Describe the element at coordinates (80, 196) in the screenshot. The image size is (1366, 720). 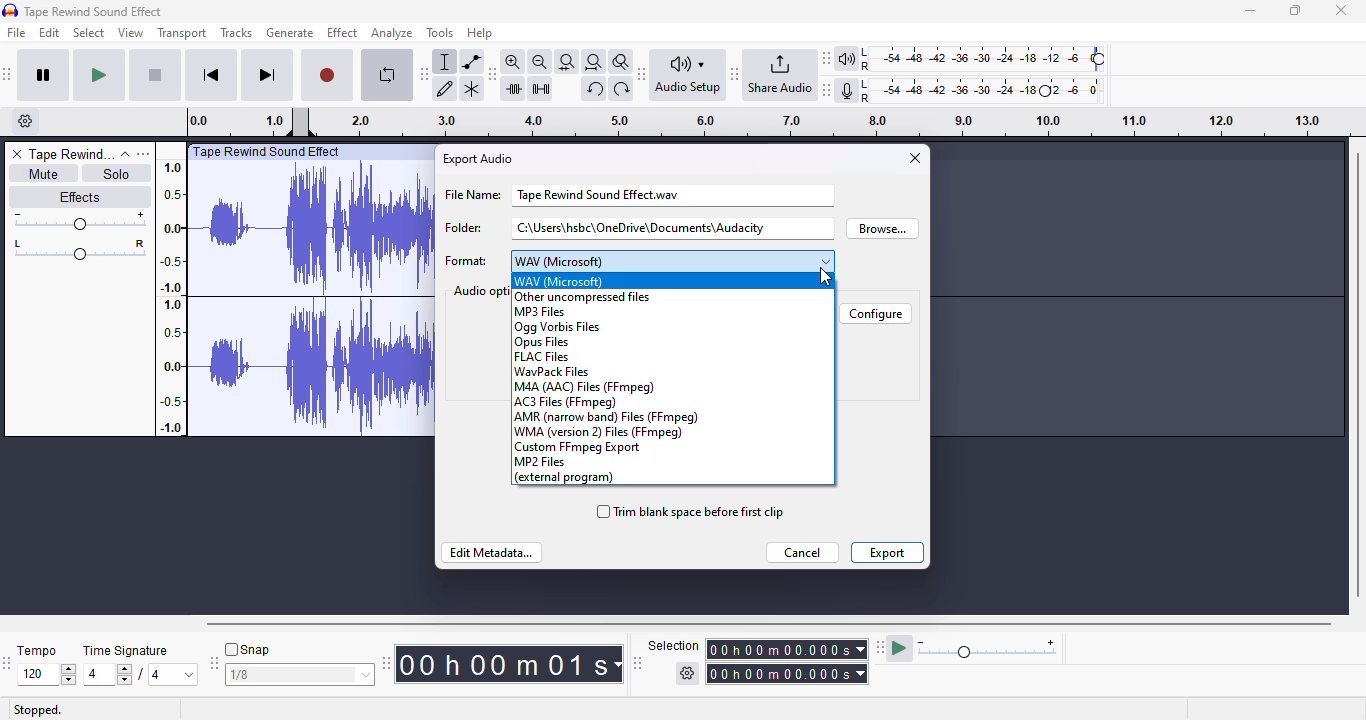
I see `effects` at that location.